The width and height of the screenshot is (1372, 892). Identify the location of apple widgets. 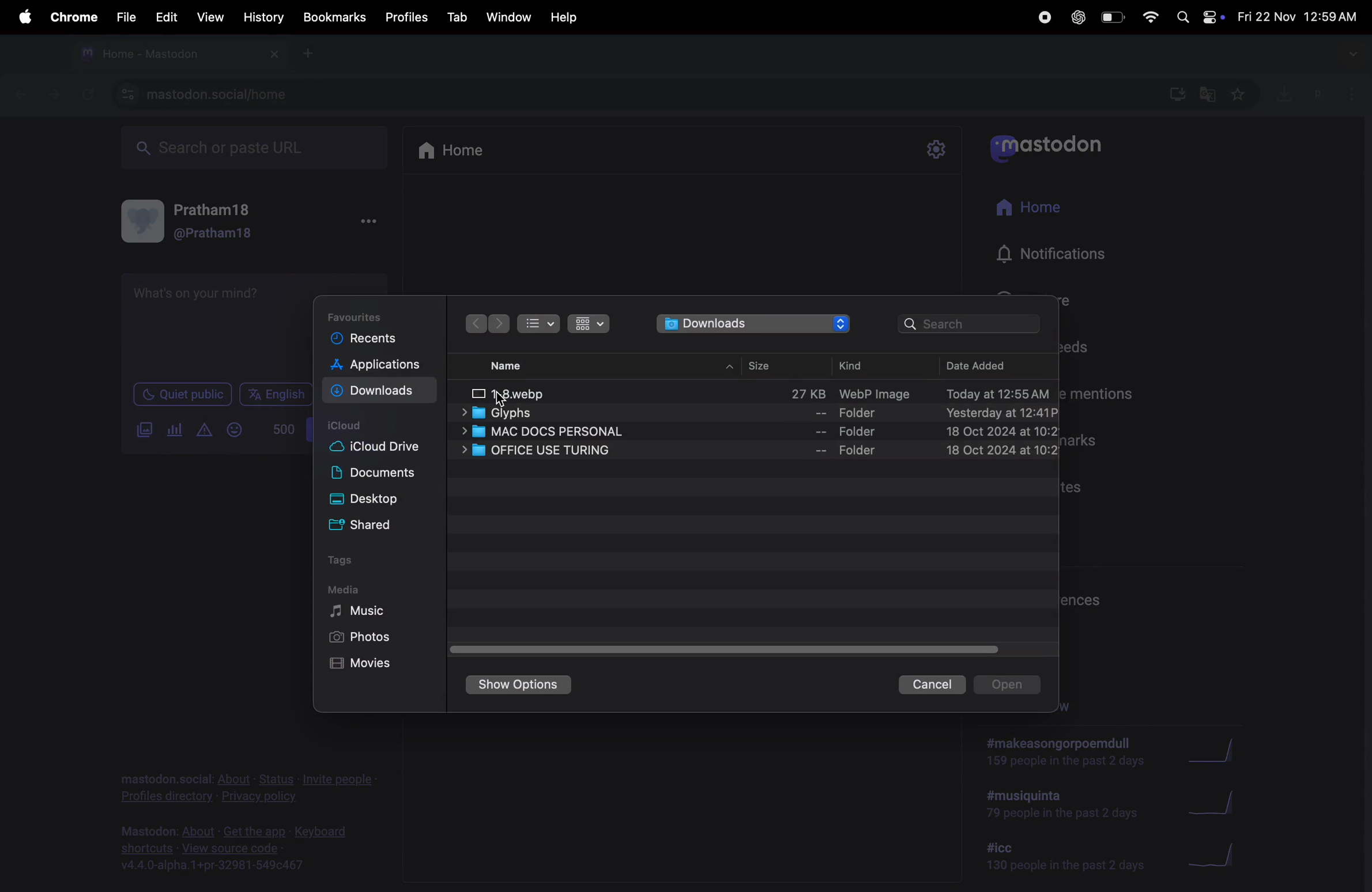
(1215, 16).